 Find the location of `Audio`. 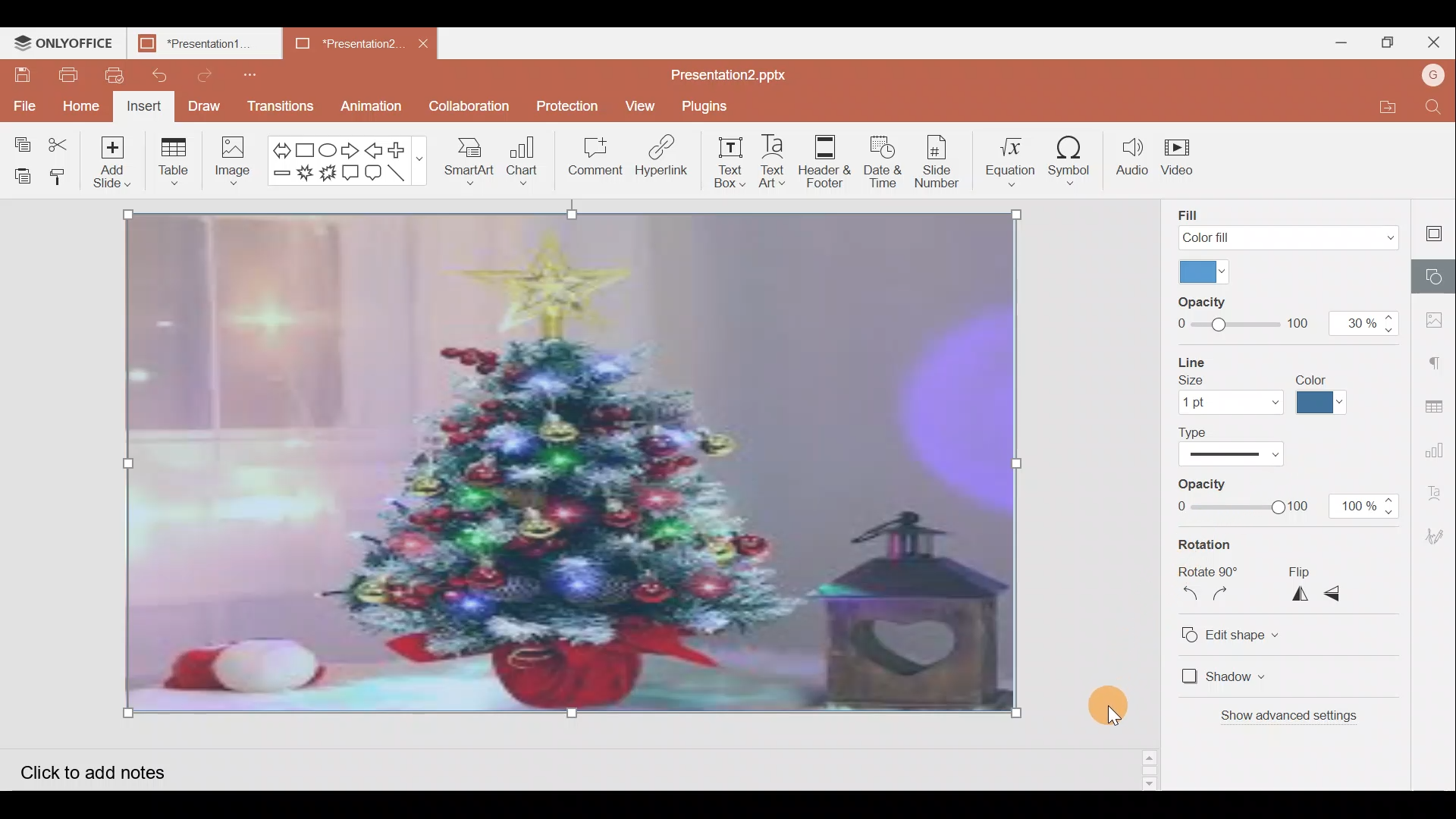

Audio is located at coordinates (1132, 159).